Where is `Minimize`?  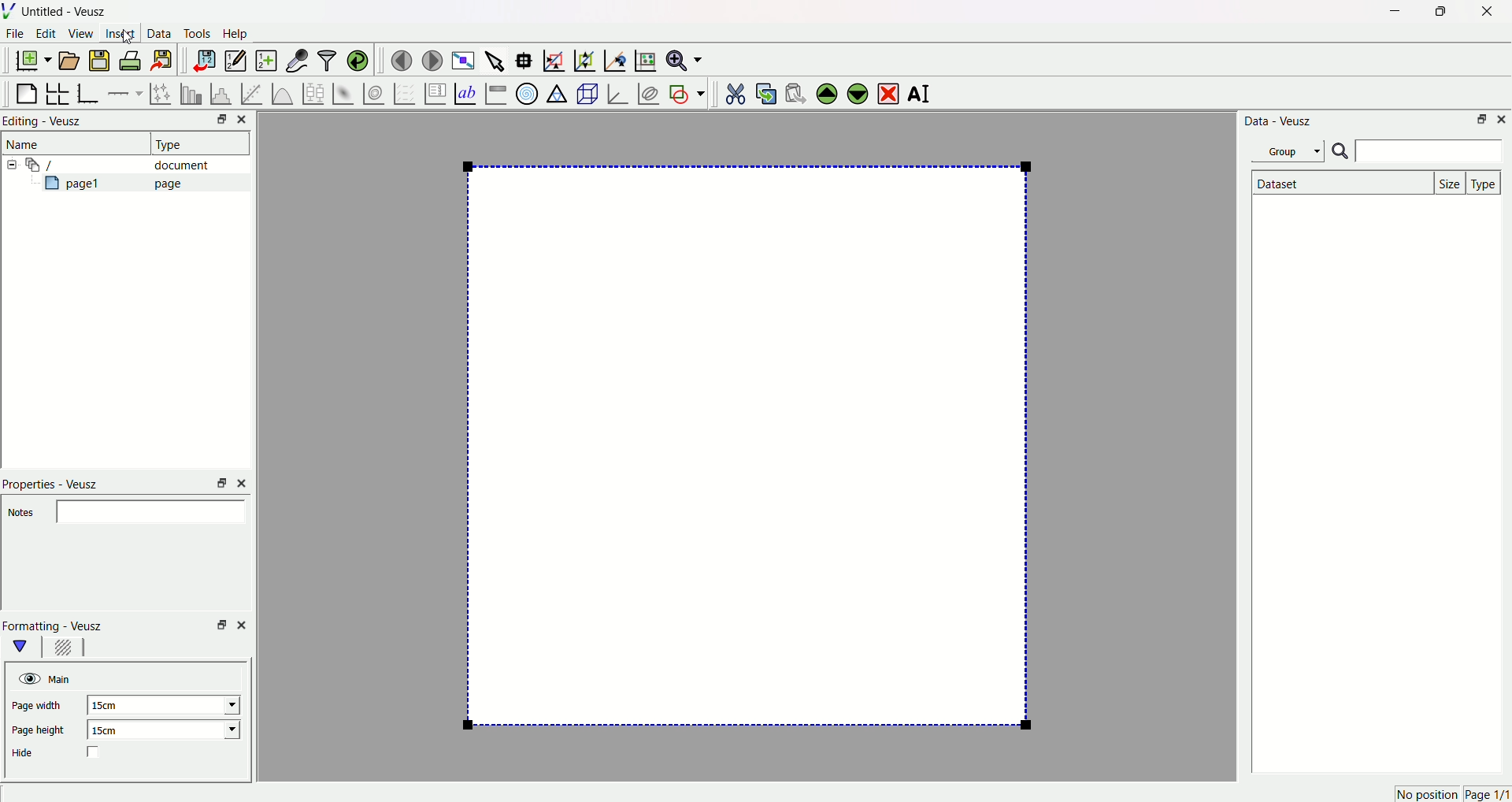
Minimize is located at coordinates (217, 121).